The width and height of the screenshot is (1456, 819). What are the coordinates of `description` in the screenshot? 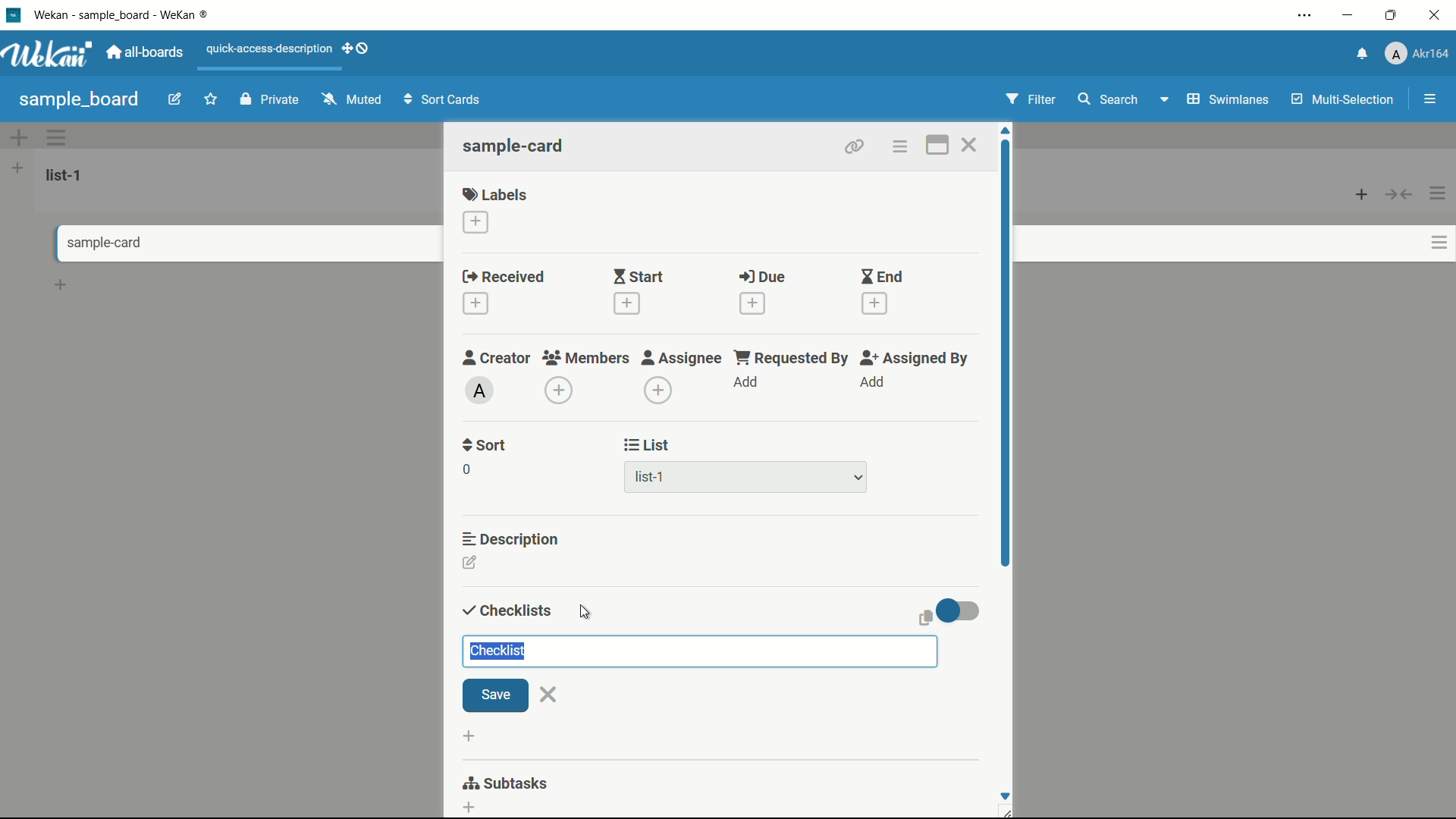 It's located at (512, 538).